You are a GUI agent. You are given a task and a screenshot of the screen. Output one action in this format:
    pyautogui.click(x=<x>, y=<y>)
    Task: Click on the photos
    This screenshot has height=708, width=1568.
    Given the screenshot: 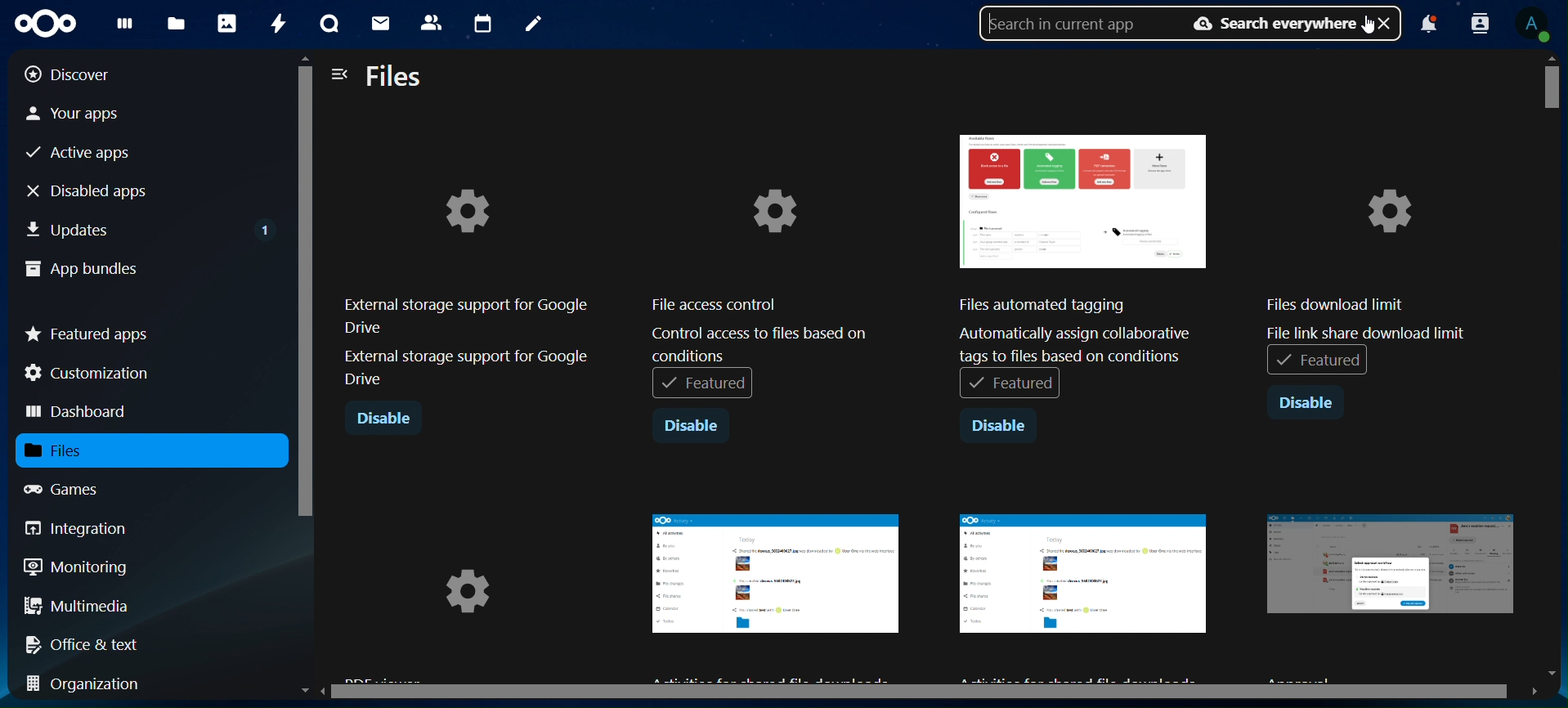 What is the action you would take?
    pyautogui.click(x=226, y=22)
    